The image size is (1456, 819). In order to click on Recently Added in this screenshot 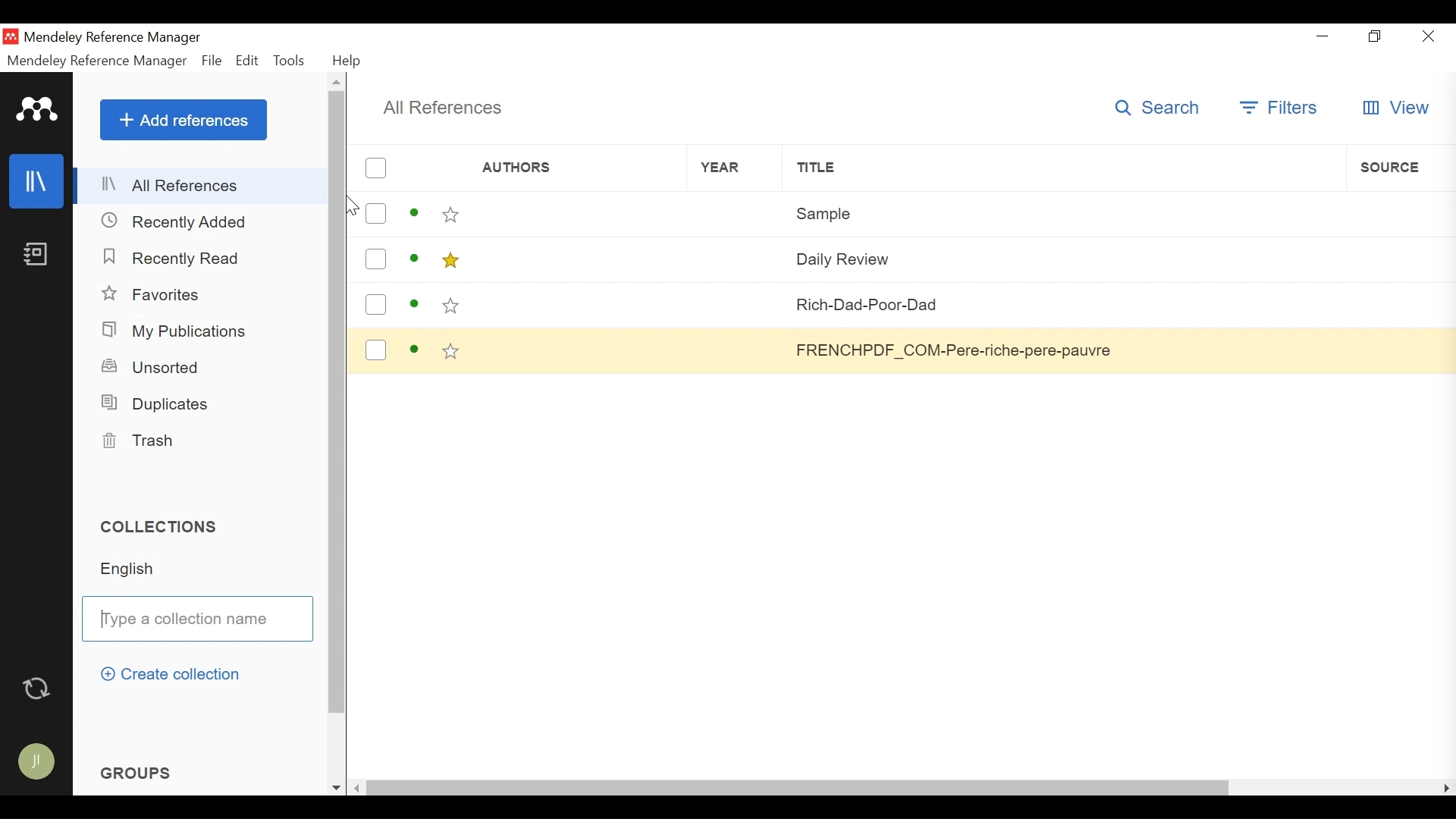, I will do `click(174, 221)`.